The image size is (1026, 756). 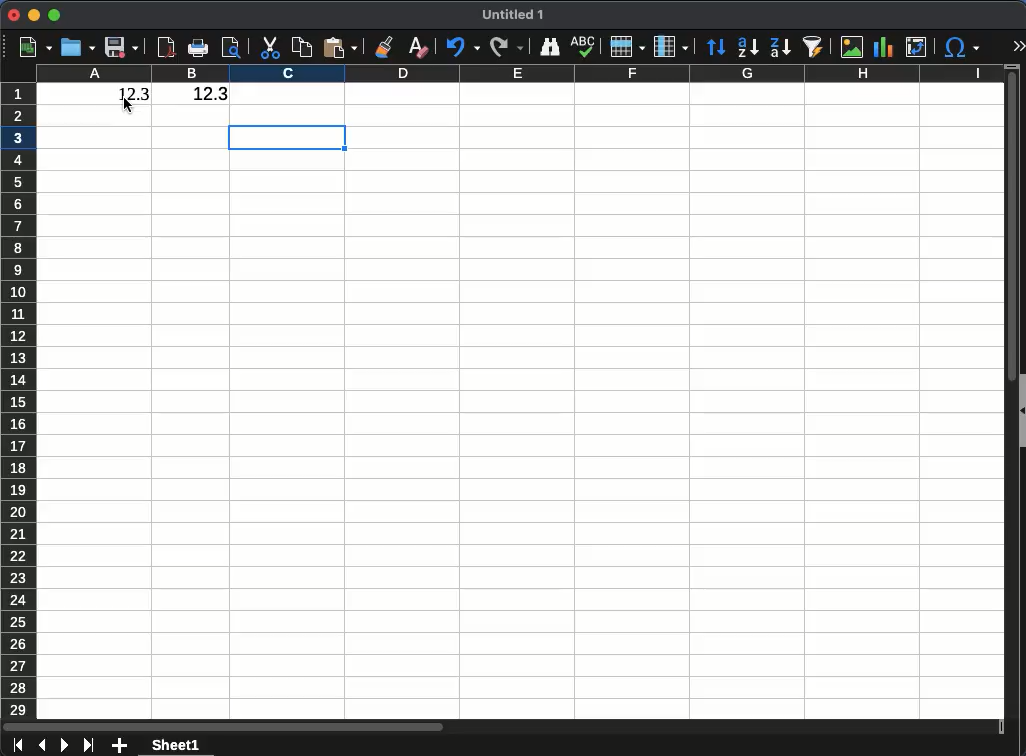 What do you see at coordinates (886, 47) in the screenshot?
I see `chart` at bounding box center [886, 47].